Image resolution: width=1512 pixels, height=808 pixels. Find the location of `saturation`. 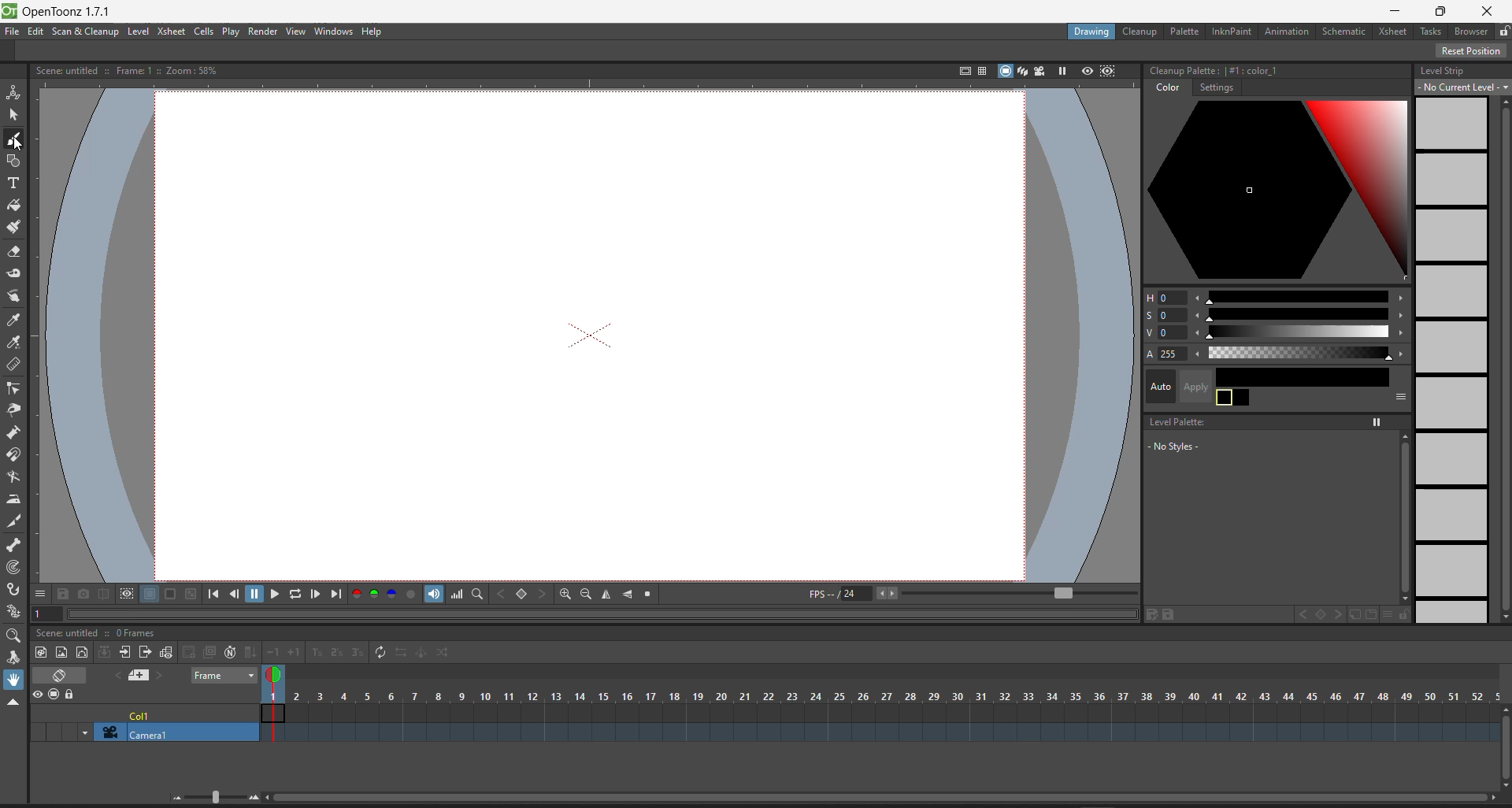

saturation is located at coordinates (1162, 317).